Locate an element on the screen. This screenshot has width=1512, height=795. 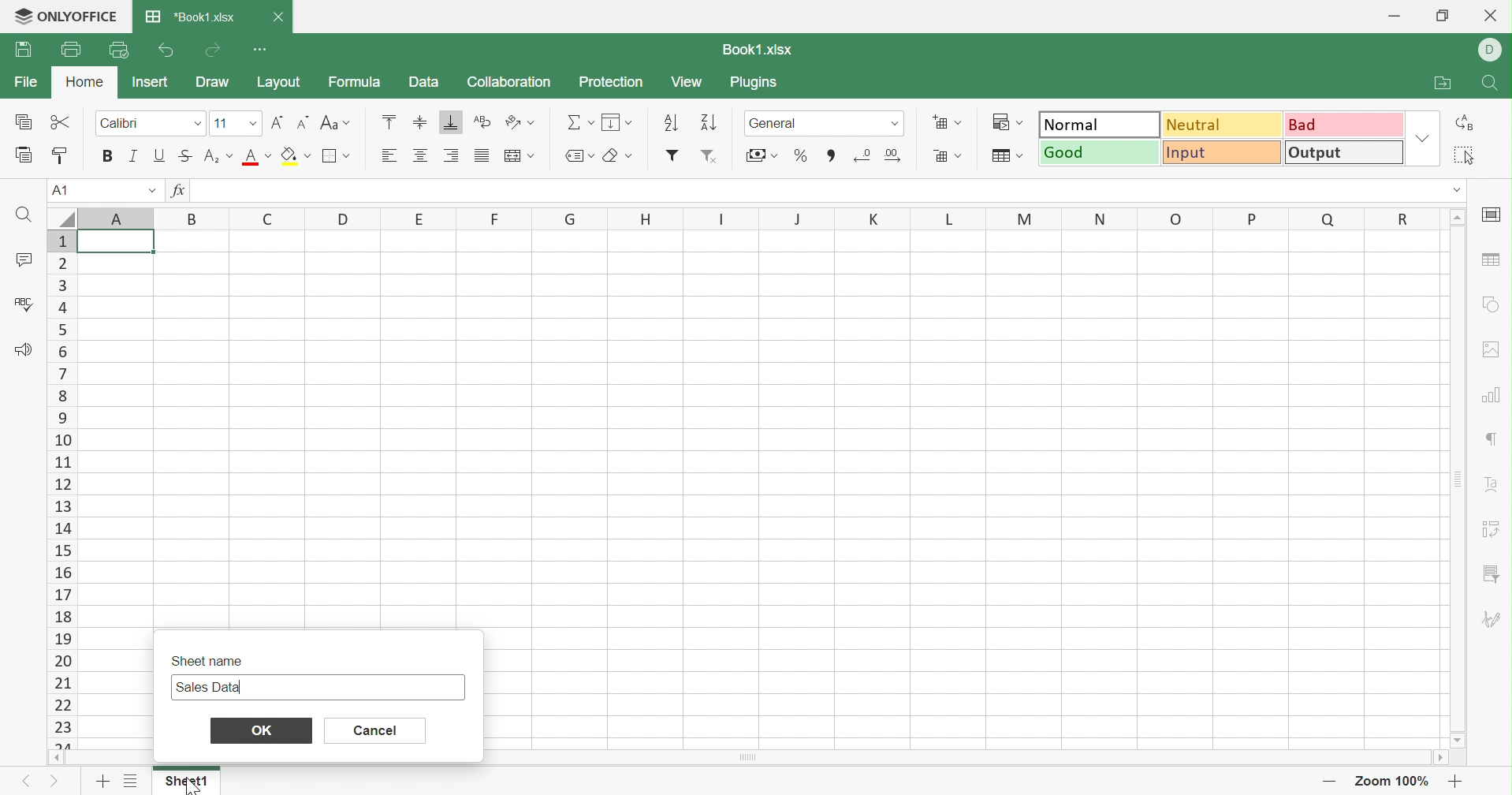
Fonts drop down is located at coordinates (196, 124).